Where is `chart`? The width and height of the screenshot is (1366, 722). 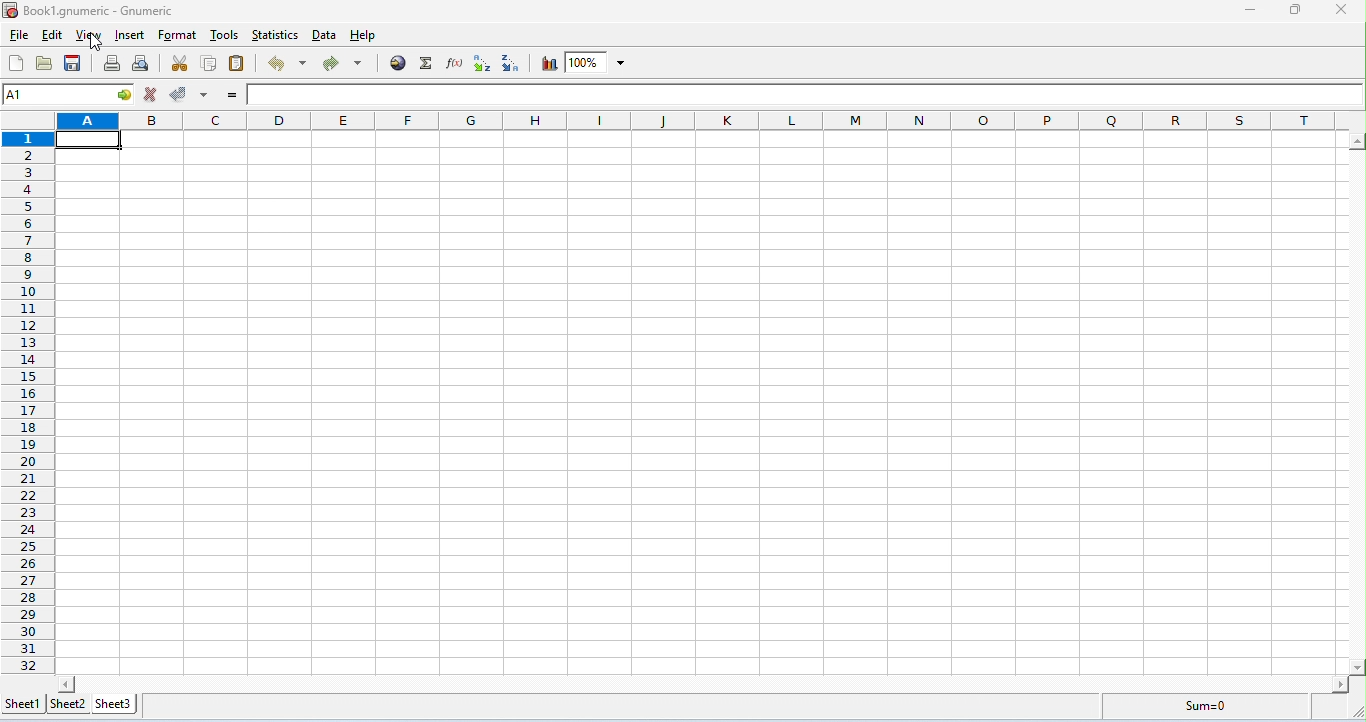 chart is located at coordinates (546, 63).